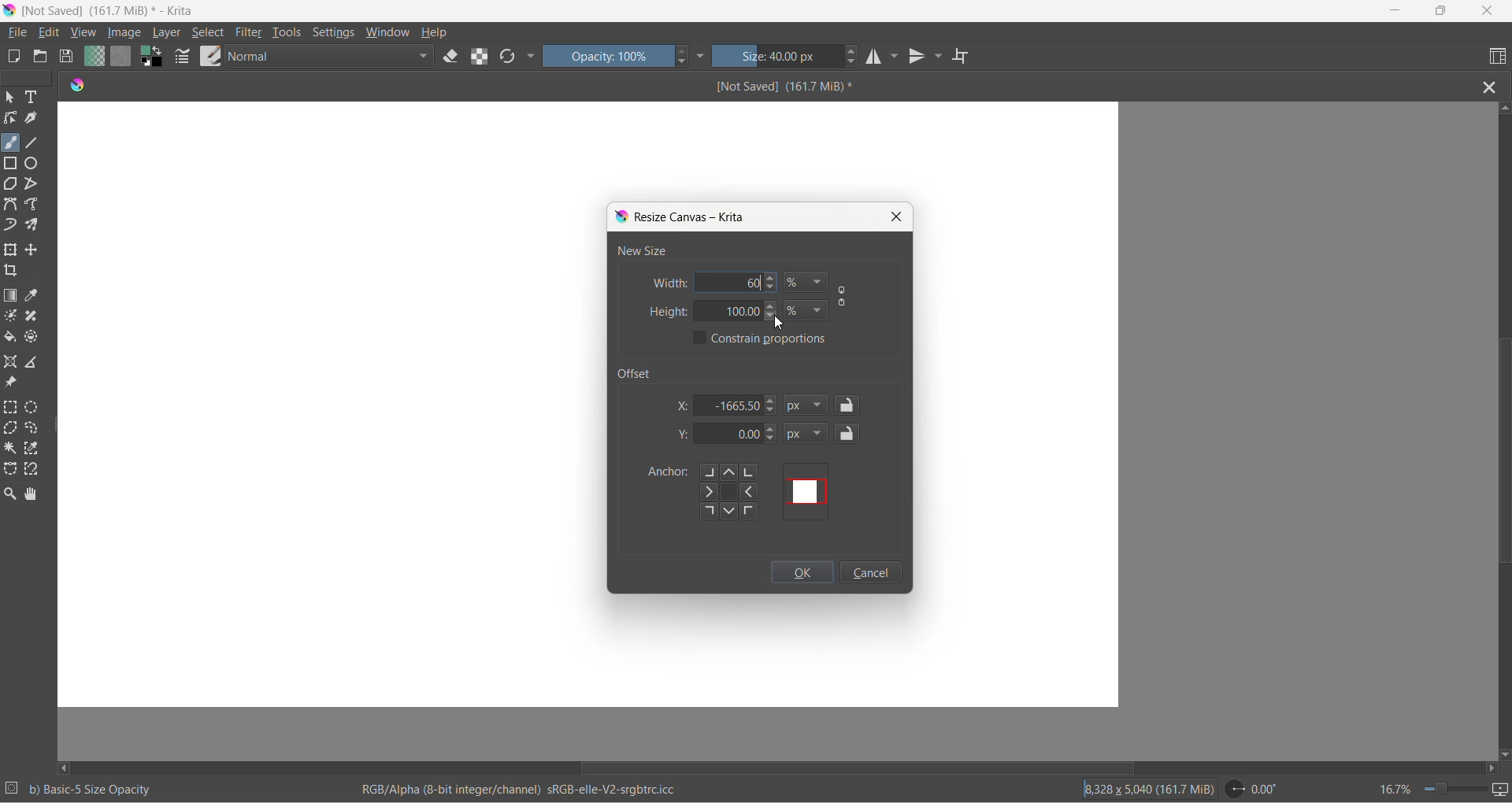  What do you see at coordinates (13, 206) in the screenshot?
I see `Bezier curve tool ` at bounding box center [13, 206].